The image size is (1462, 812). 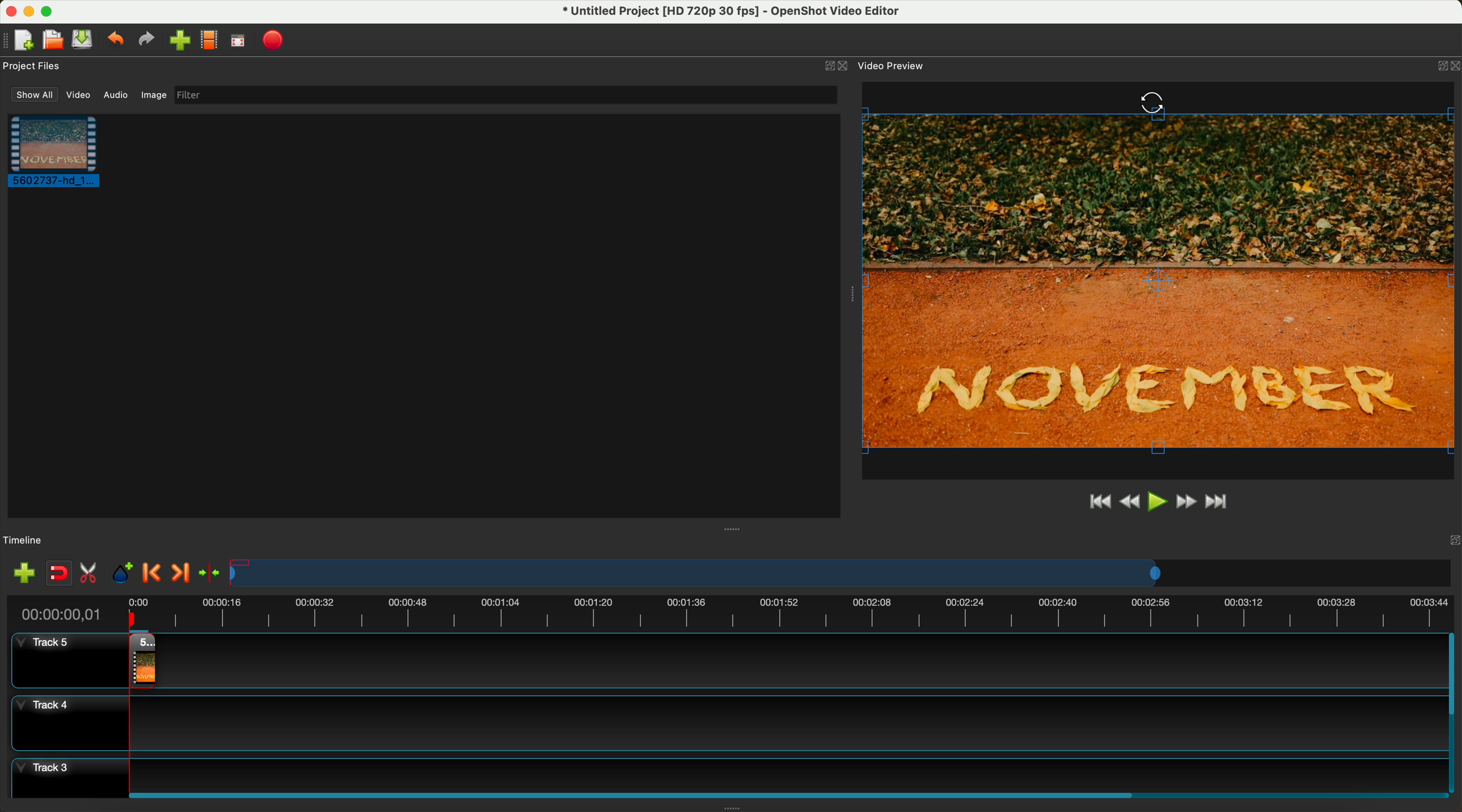 I want to click on fullscreen, so click(x=237, y=41).